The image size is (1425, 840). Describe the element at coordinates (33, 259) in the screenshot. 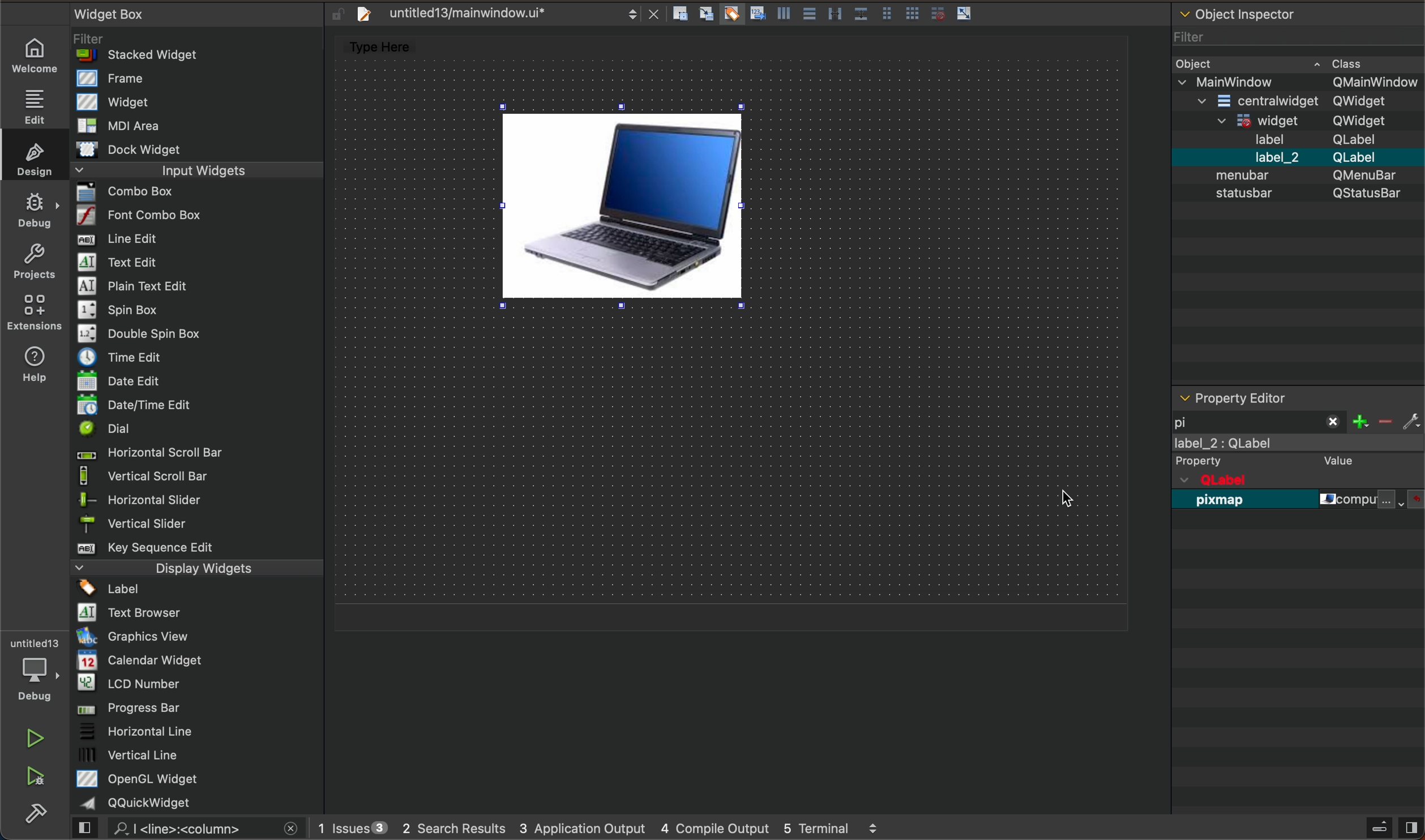

I see `projects` at that location.